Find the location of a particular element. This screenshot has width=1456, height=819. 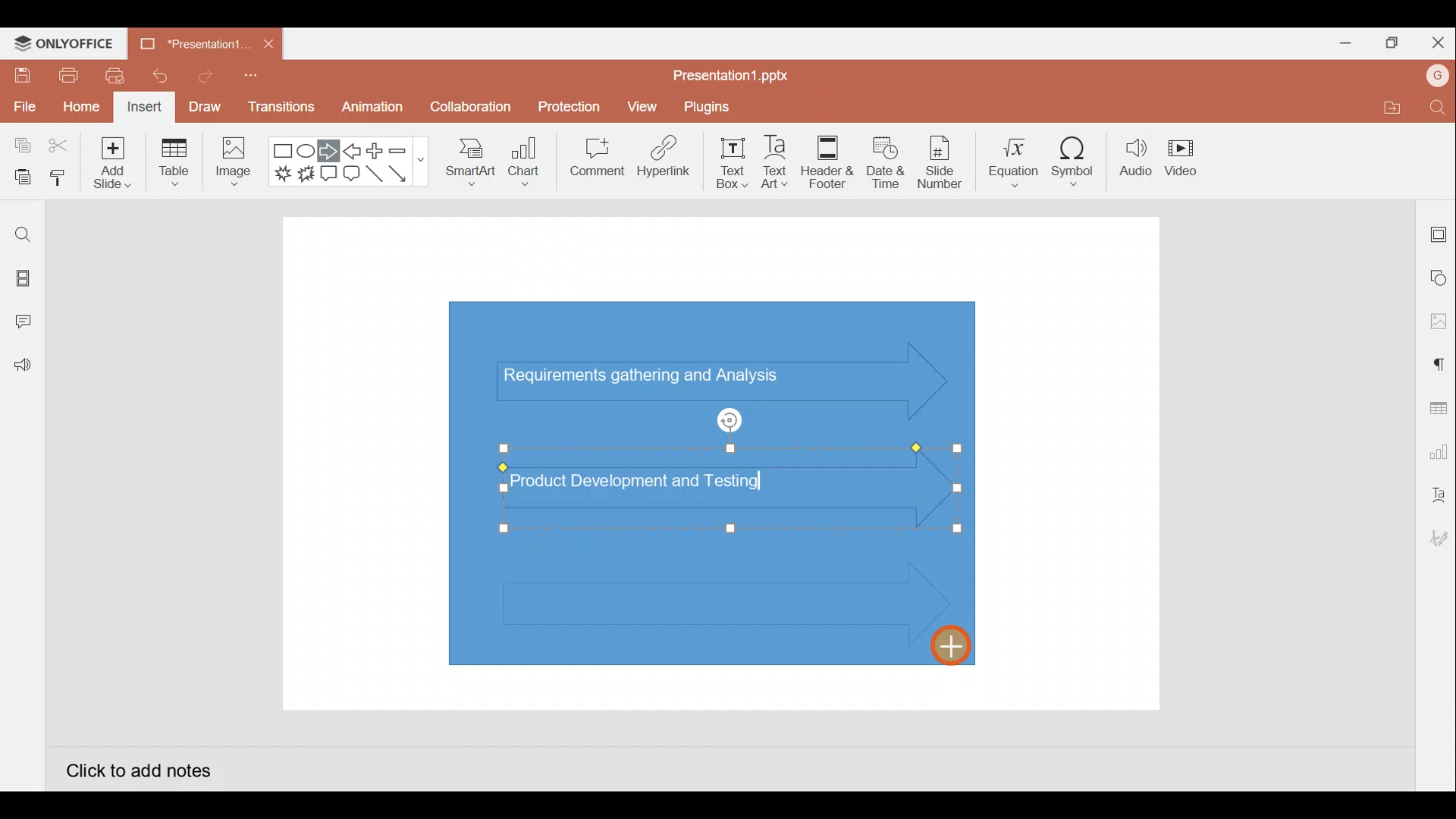

File is located at coordinates (23, 104).